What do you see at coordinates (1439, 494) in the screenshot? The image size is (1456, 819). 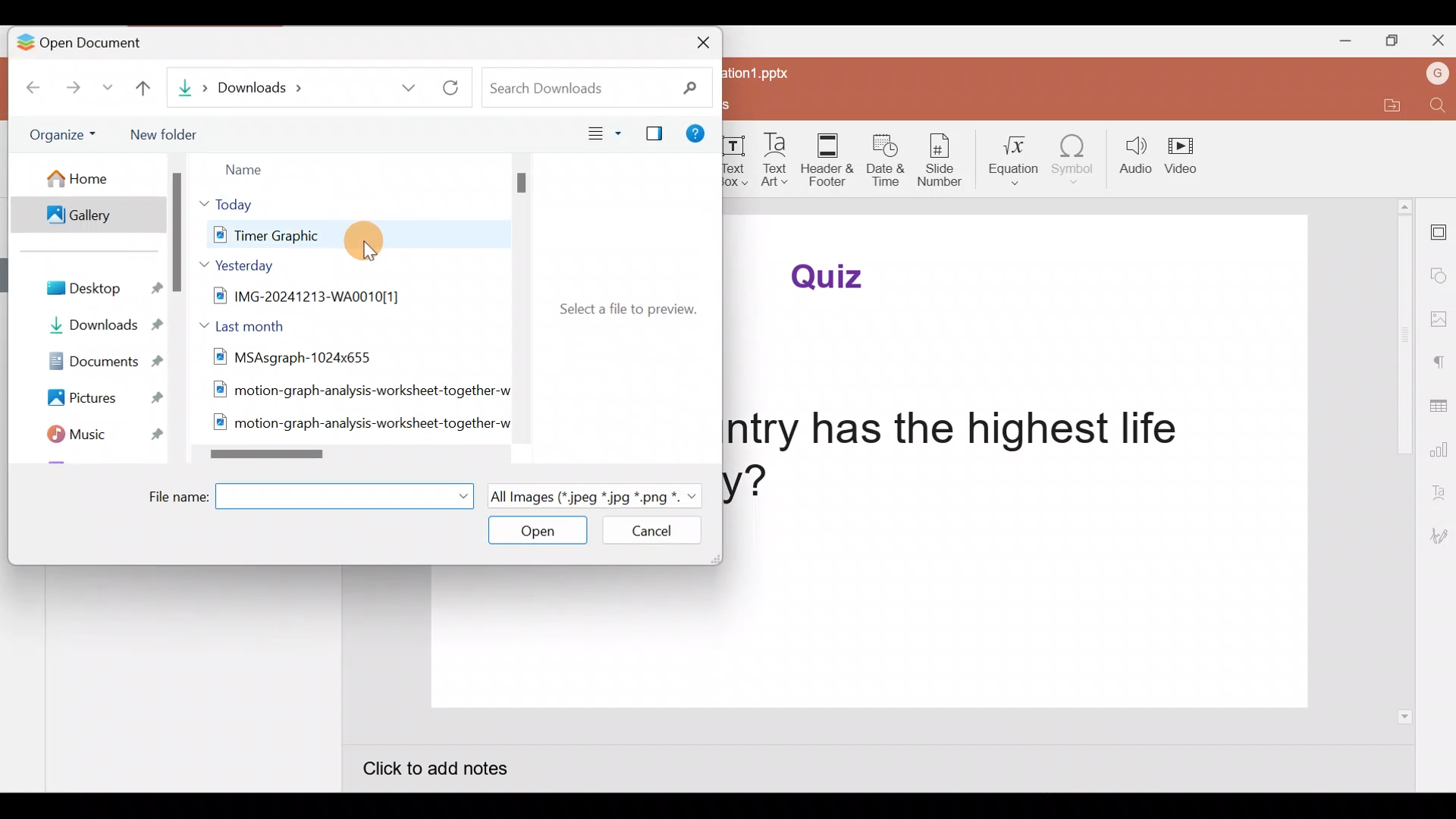 I see `Text Art settings` at bounding box center [1439, 494].